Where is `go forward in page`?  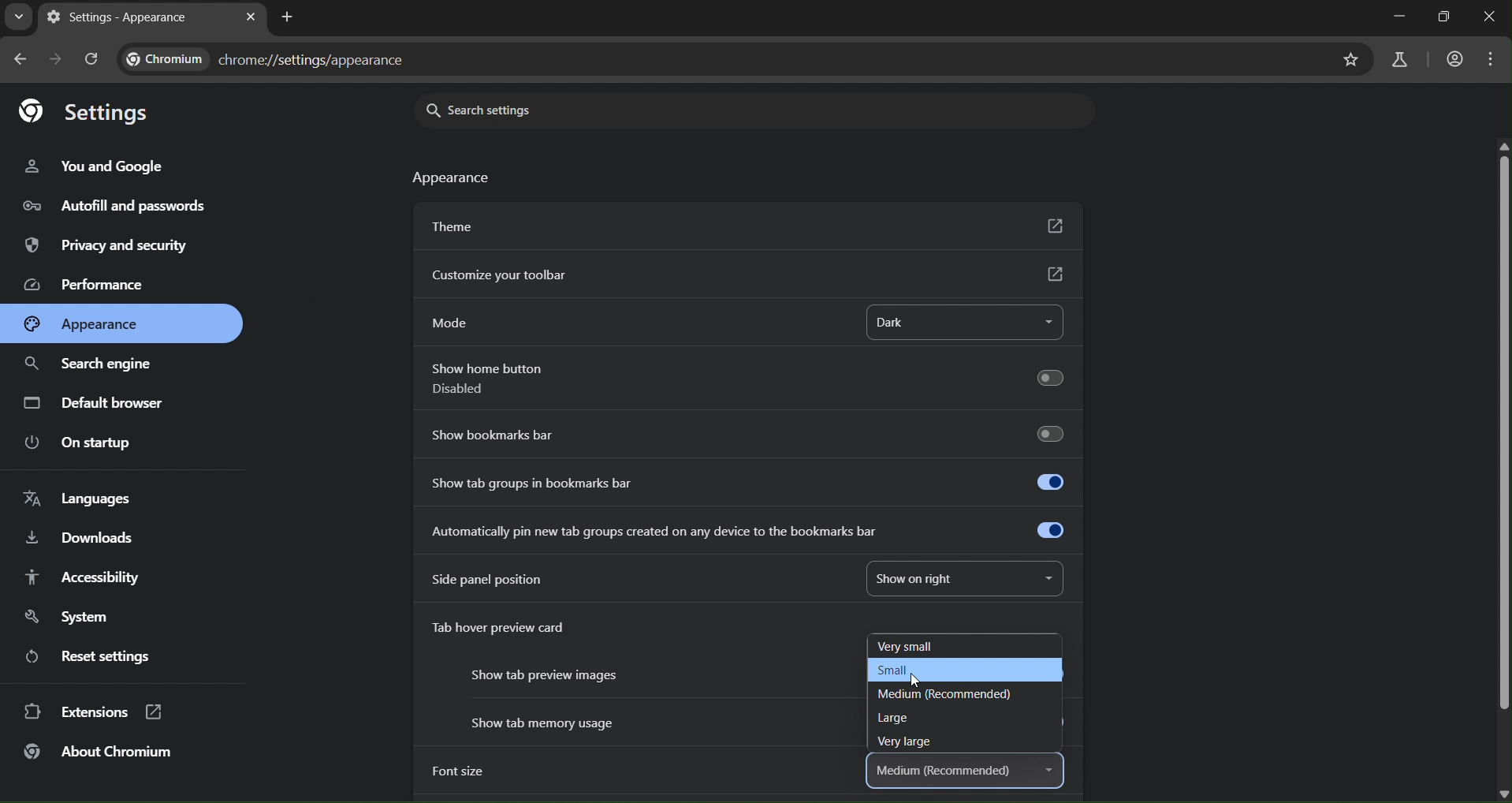
go forward in page is located at coordinates (57, 60).